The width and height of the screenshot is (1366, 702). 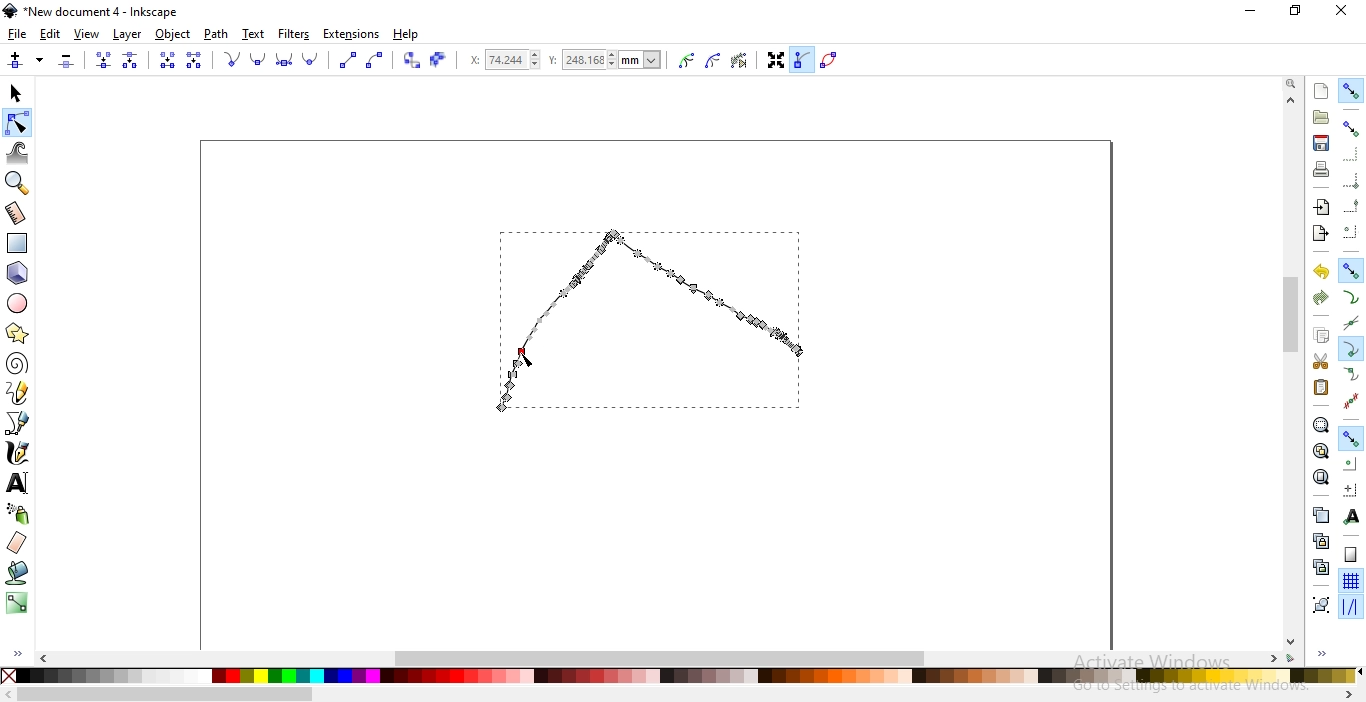 What do you see at coordinates (1320, 567) in the screenshot?
I see `cut the selected clones links to the originals` at bounding box center [1320, 567].